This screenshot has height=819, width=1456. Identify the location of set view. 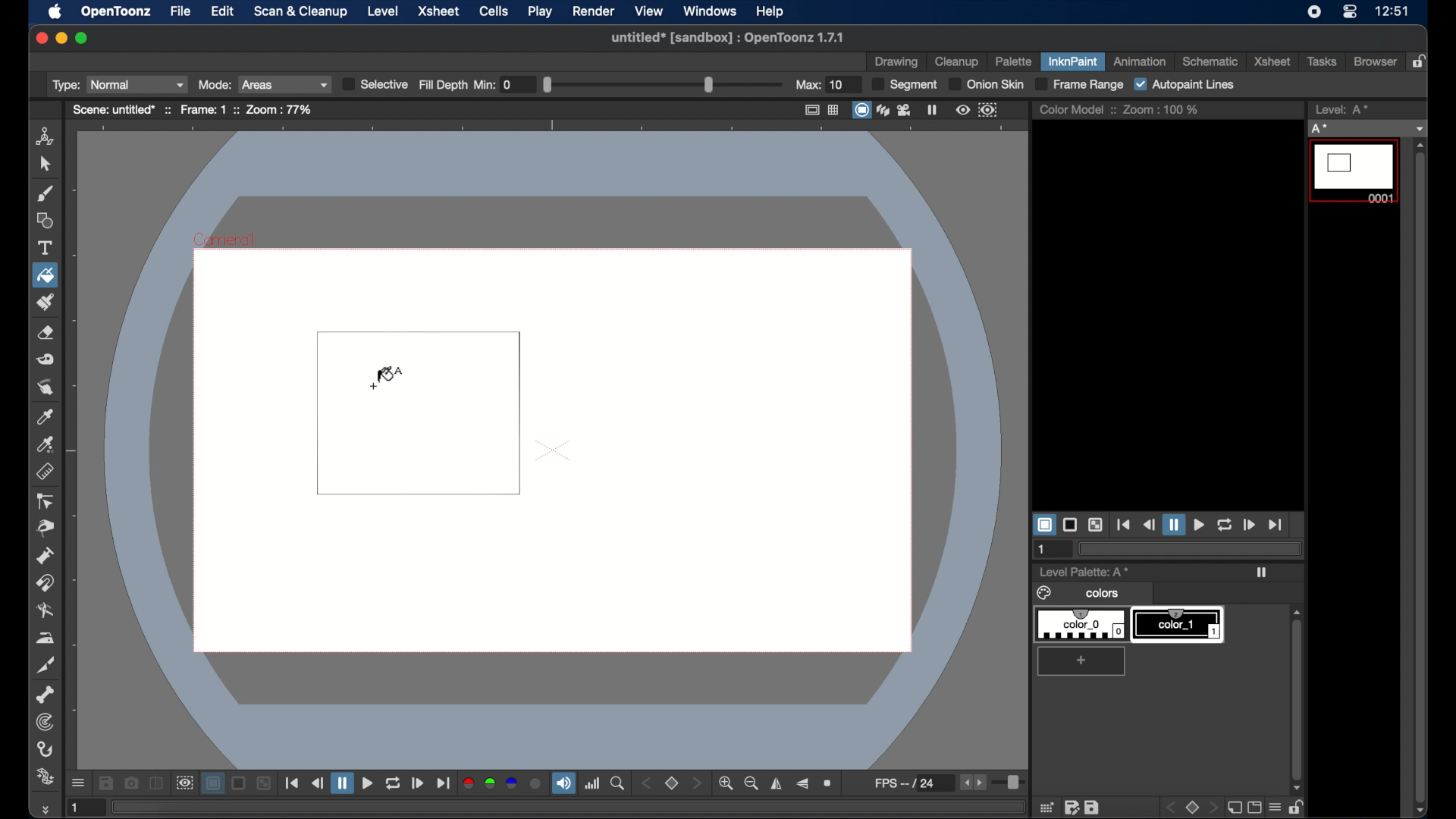
(672, 784).